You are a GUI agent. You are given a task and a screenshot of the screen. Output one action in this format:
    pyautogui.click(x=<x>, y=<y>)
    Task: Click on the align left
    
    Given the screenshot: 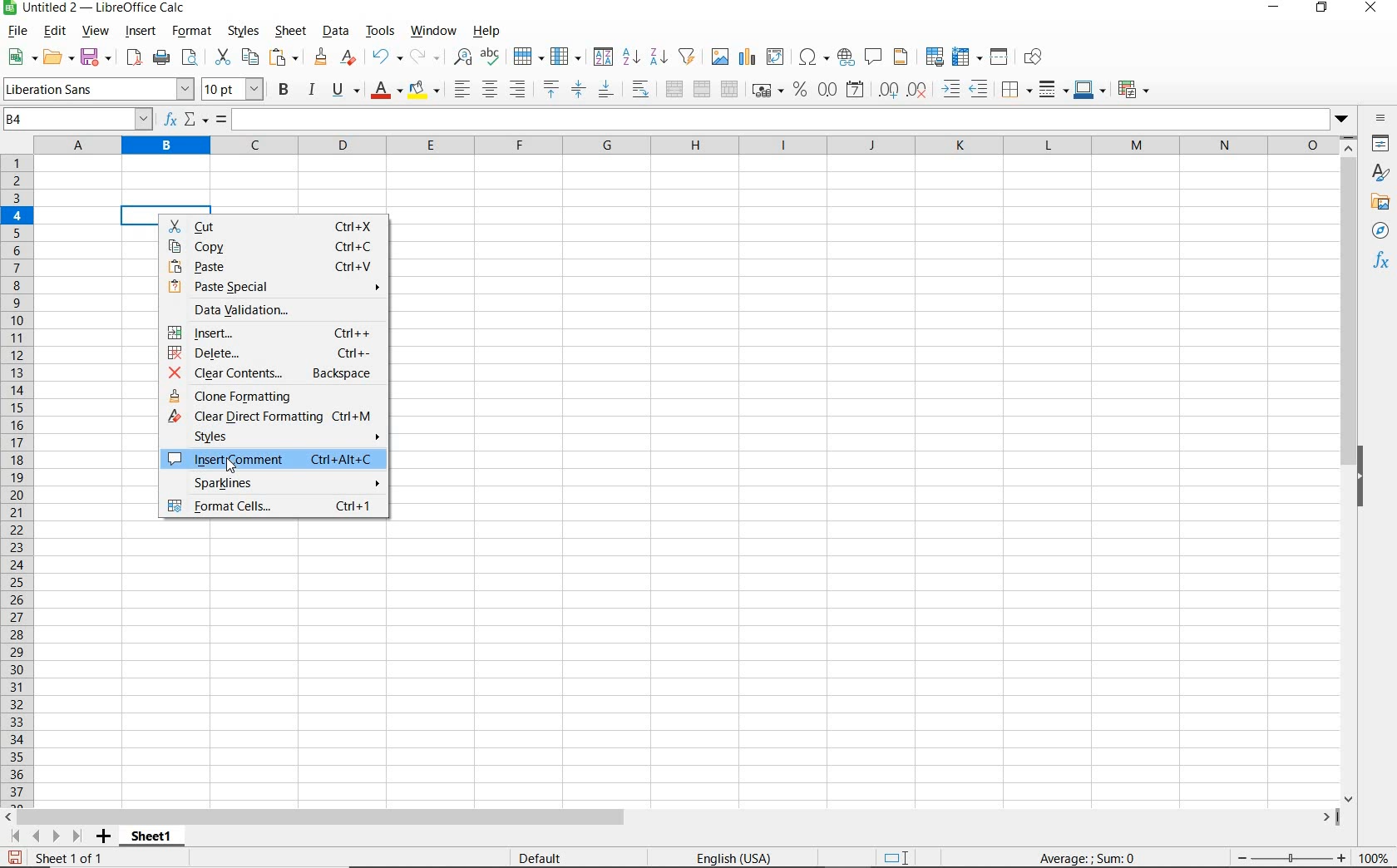 What is the action you would take?
    pyautogui.click(x=461, y=89)
    